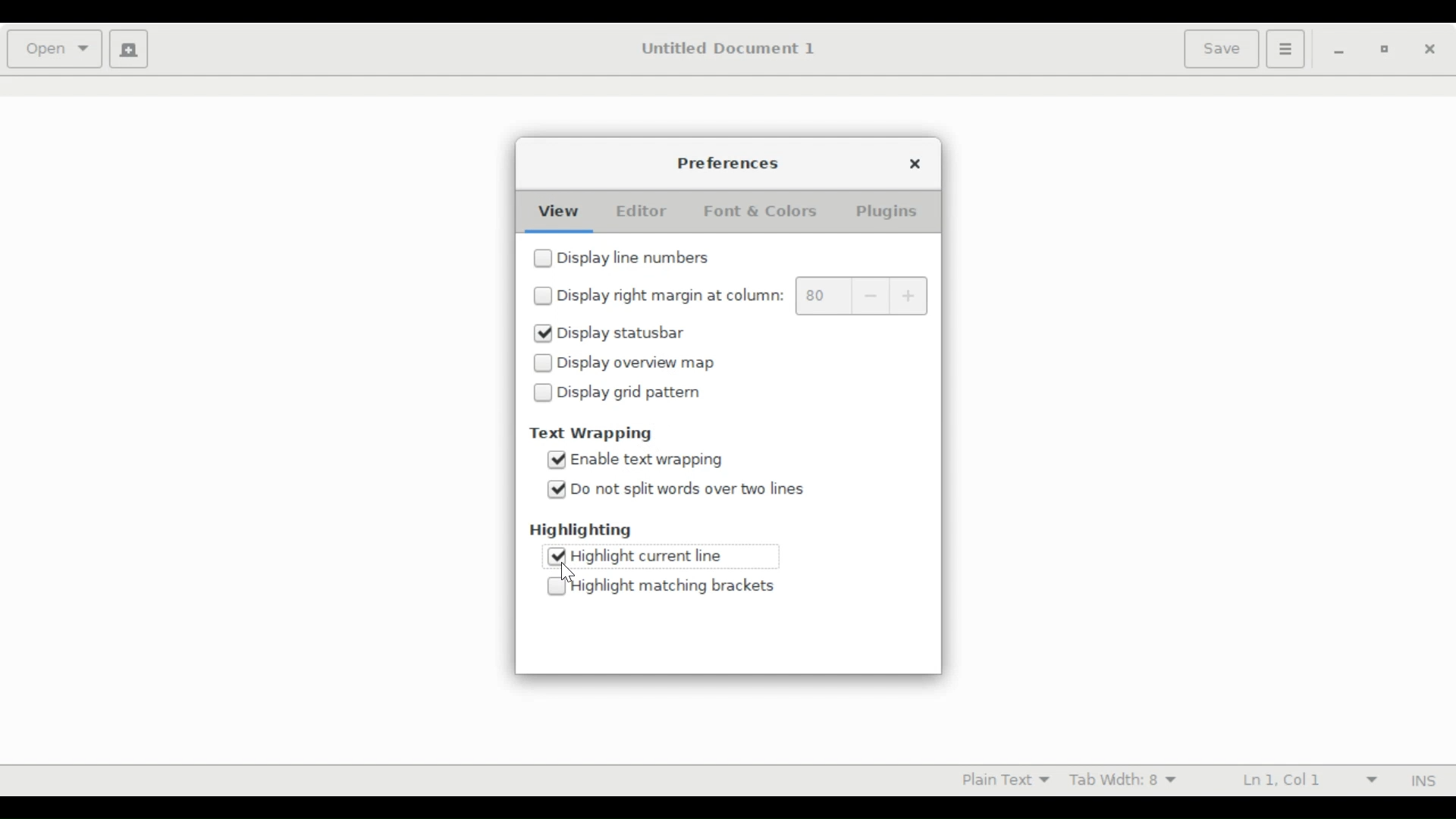  Describe the element at coordinates (1285, 49) in the screenshot. I see `Application menu` at that location.